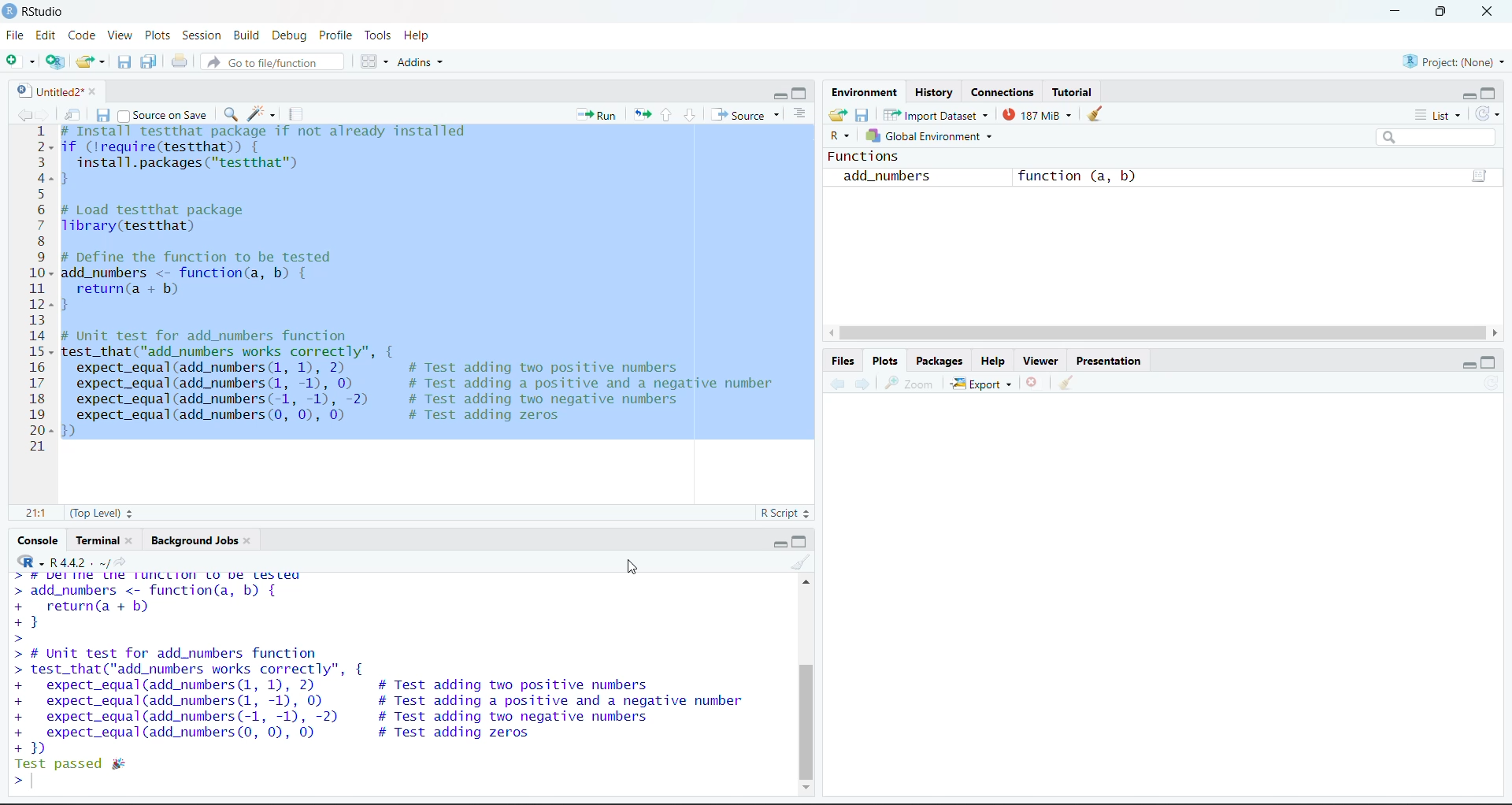 Image resolution: width=1512 pixels, height=805 pixels. Describe the element at coordinates (99, 512) in the screenshot. I see `(Top Level)` at that location.